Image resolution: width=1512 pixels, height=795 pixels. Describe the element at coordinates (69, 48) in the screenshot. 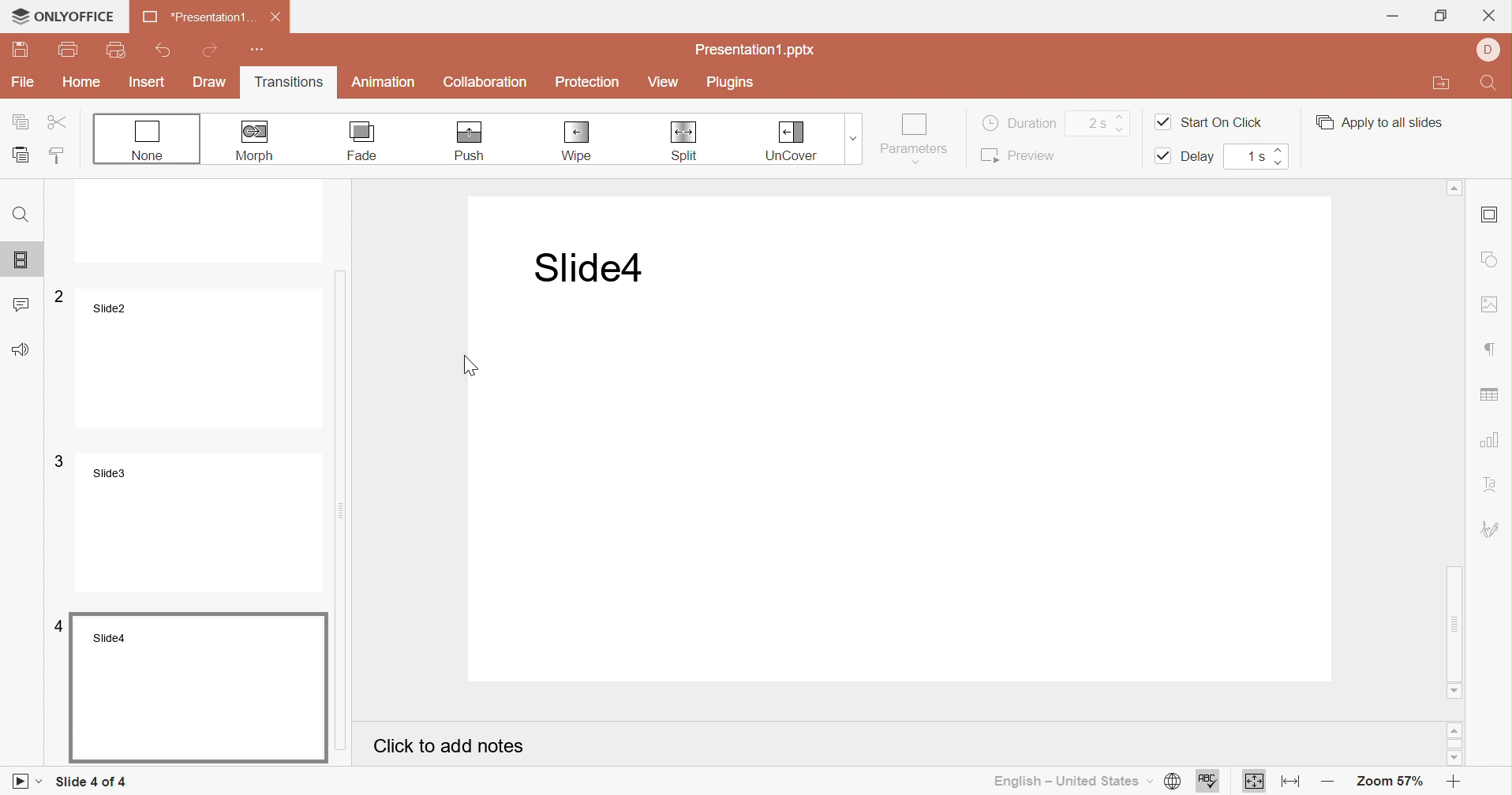

I see `Print file` at that location.